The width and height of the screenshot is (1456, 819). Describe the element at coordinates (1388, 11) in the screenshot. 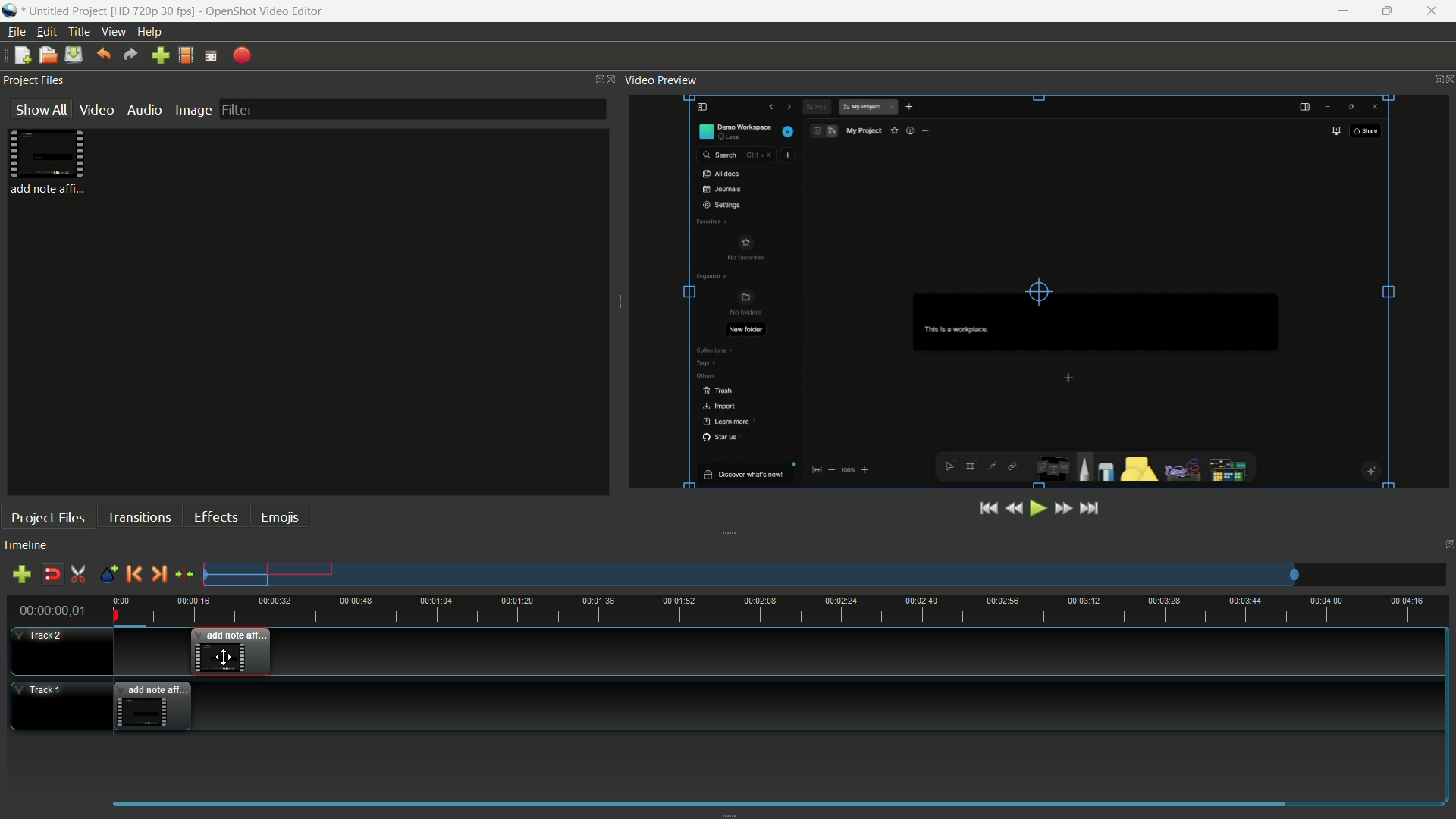

I see `maximize` at that location.